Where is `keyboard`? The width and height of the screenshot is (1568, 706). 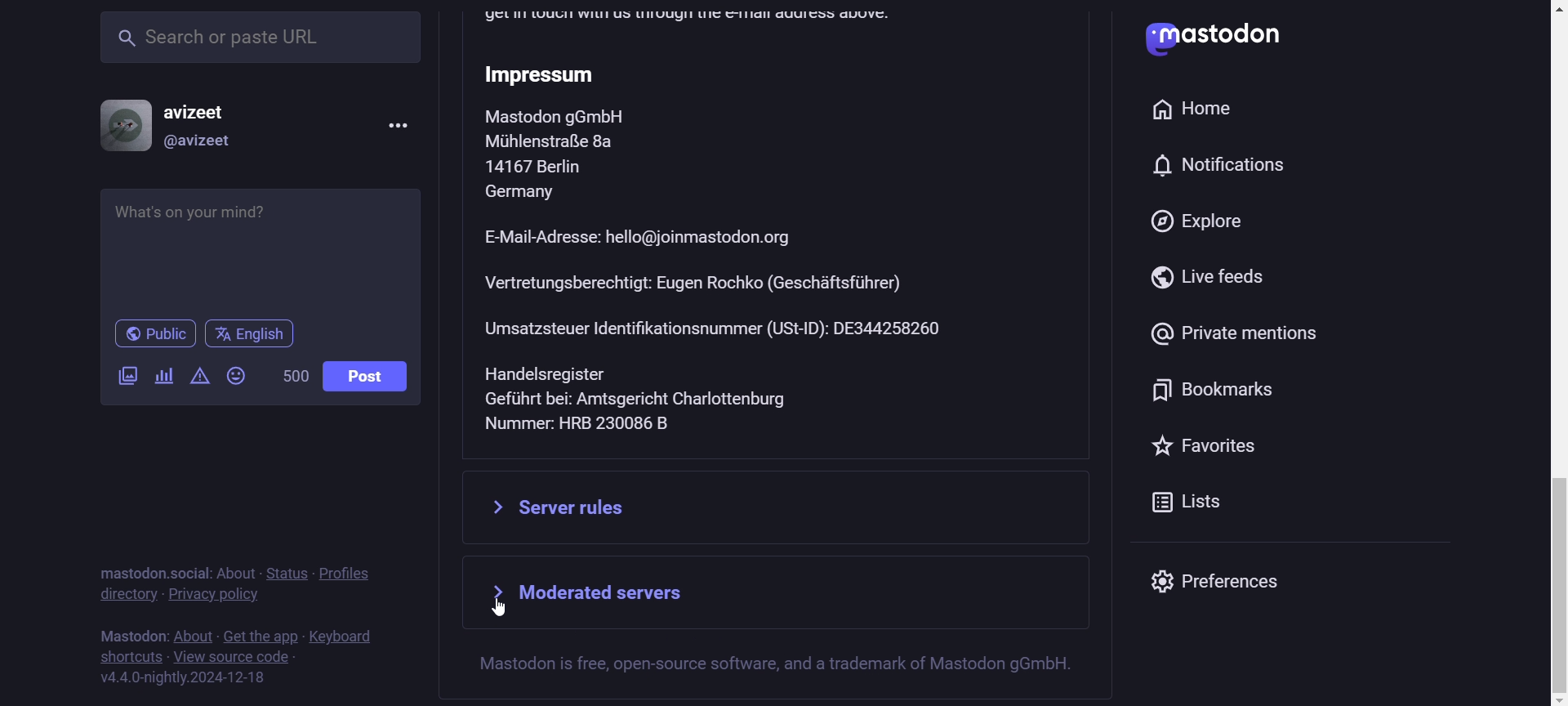
keyboard is located at coordinates (345, 634).